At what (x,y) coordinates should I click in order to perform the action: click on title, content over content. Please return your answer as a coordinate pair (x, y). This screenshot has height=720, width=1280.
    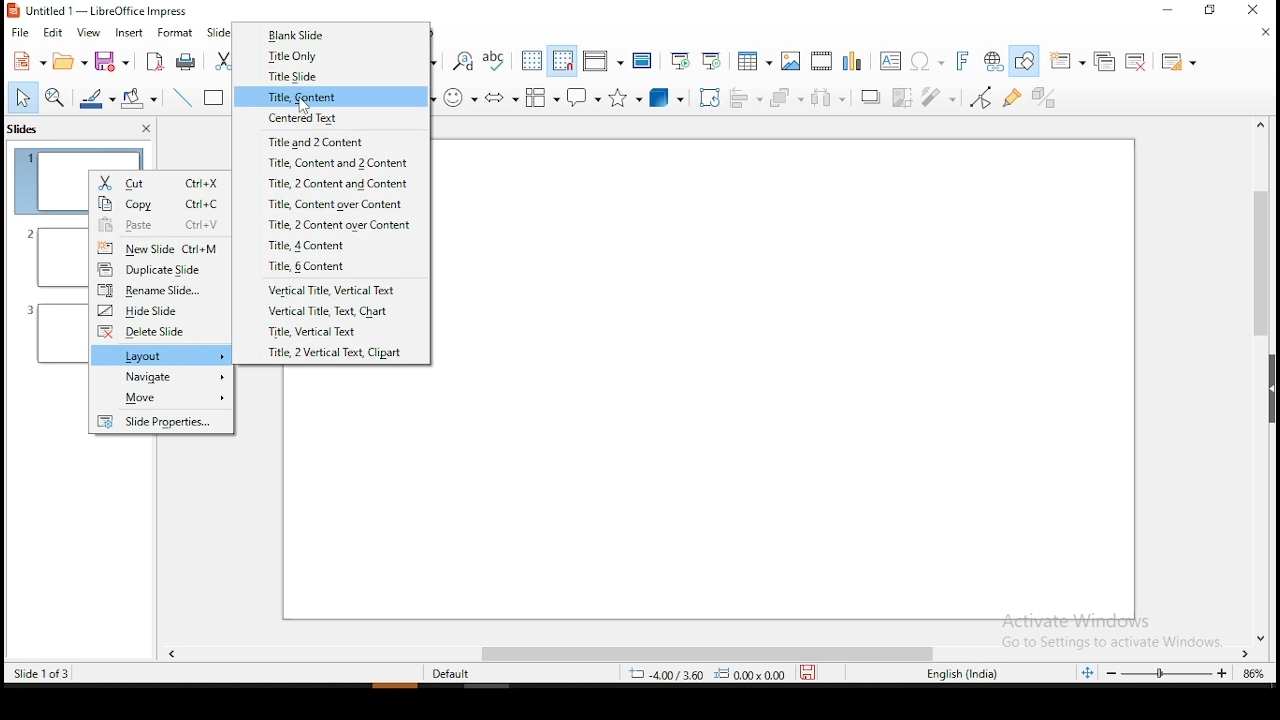
    Looking at the image, I should click on (331, 202).